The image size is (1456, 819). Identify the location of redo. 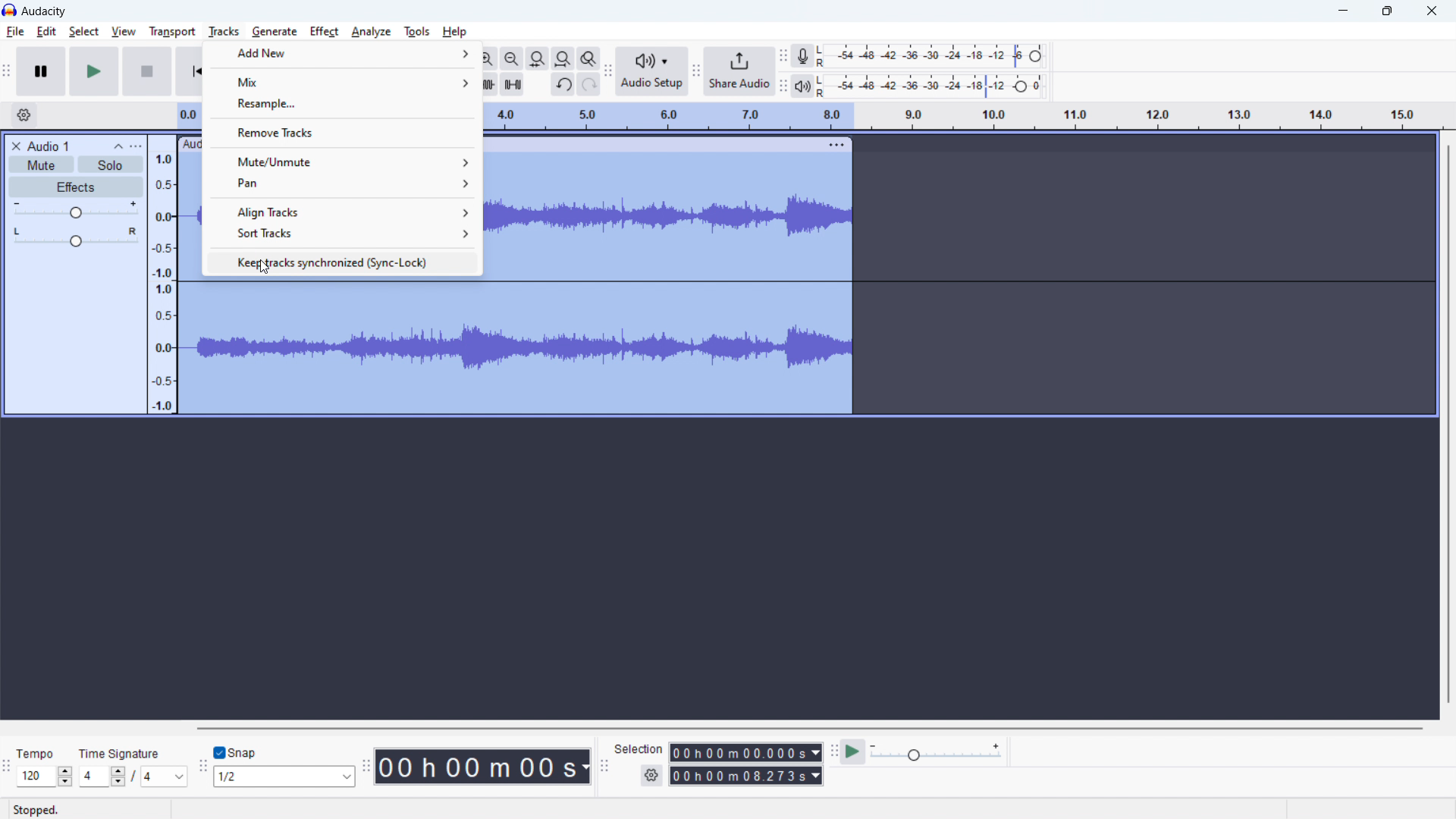
(588, 84).